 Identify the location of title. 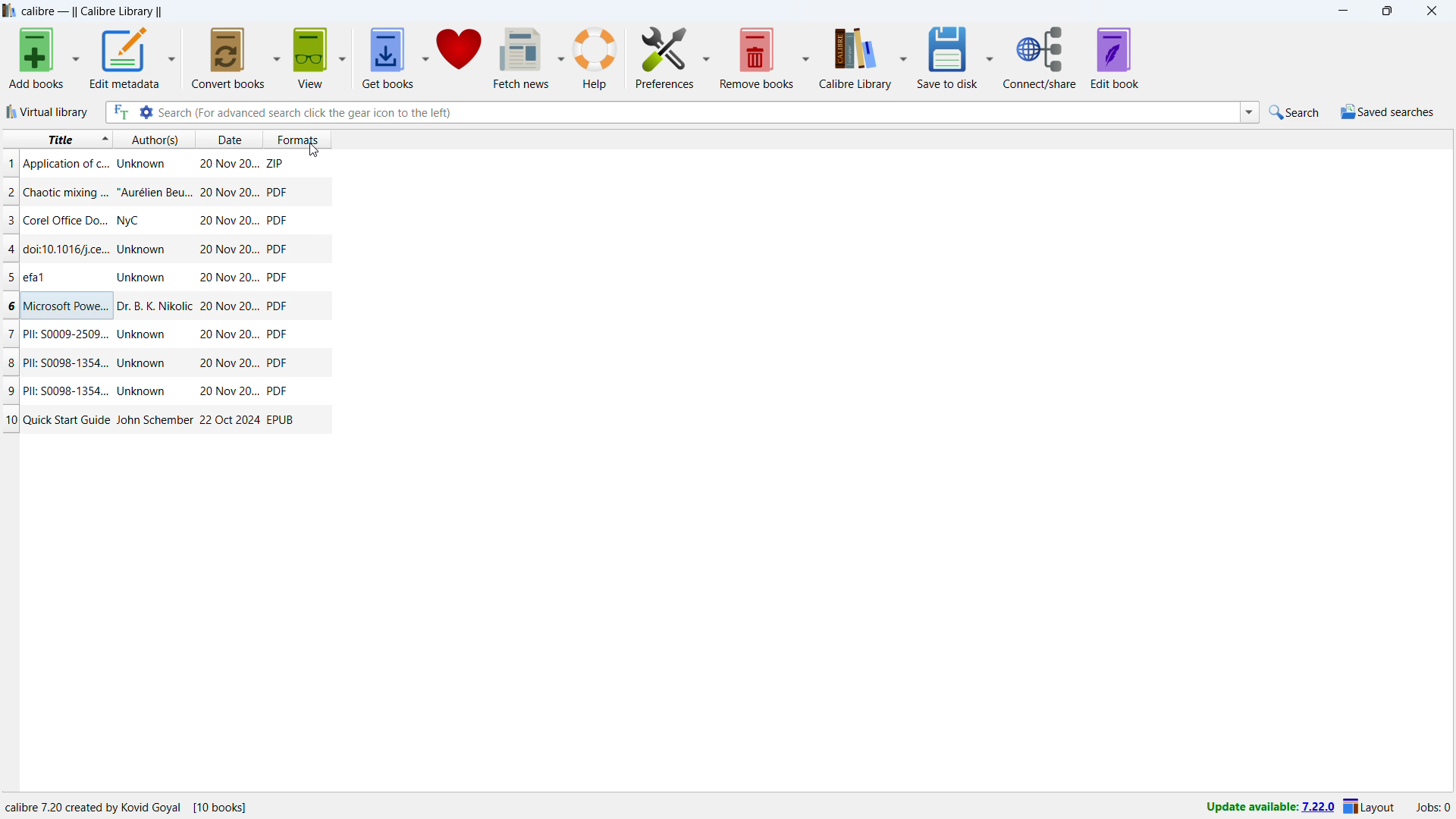
(66, 307).